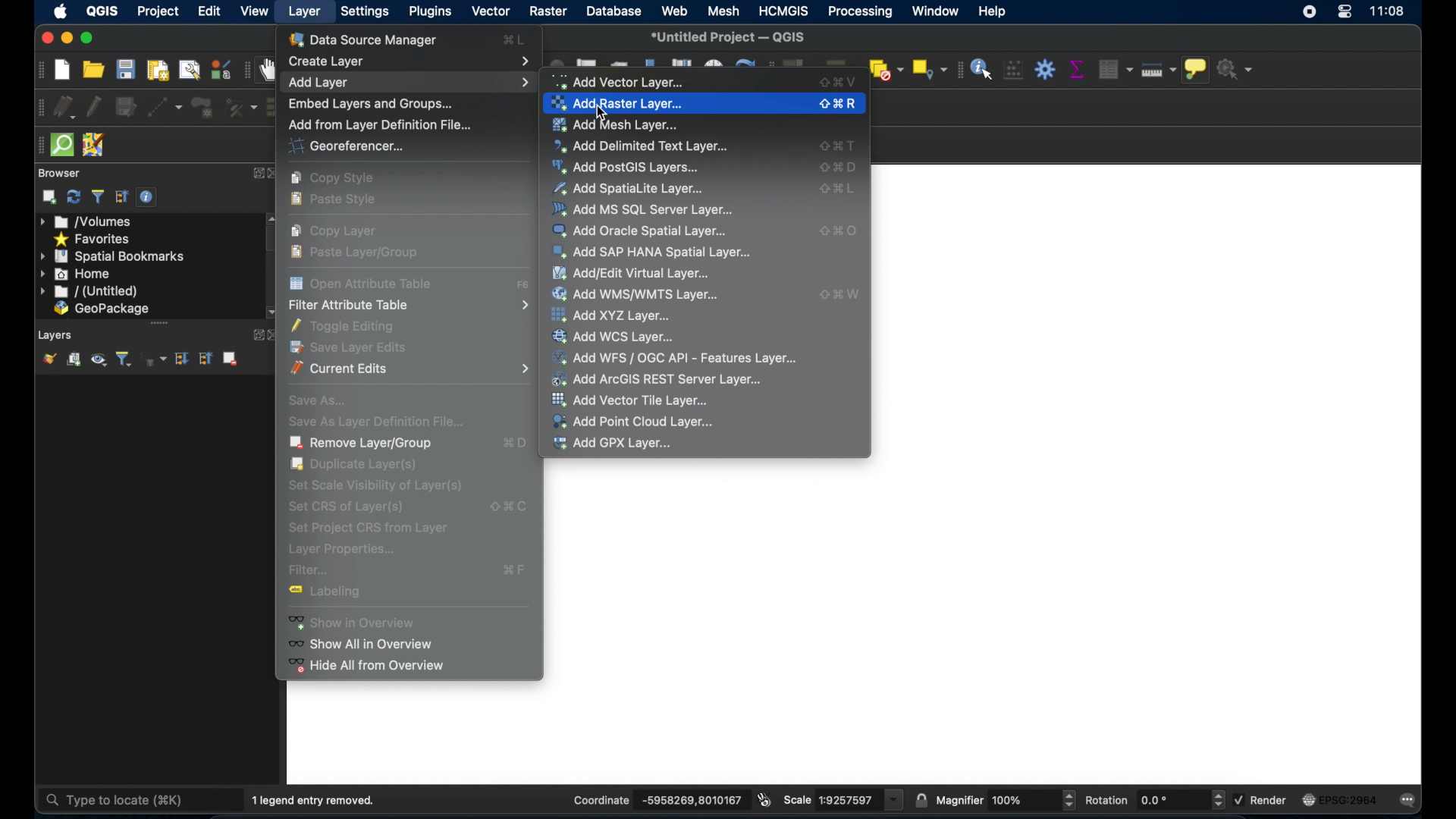 Image resolution: width=1456 pixels, height=819 pixels. Describe the element at coordinates (1272, 801) in the screenshot. I see `render` at that location.